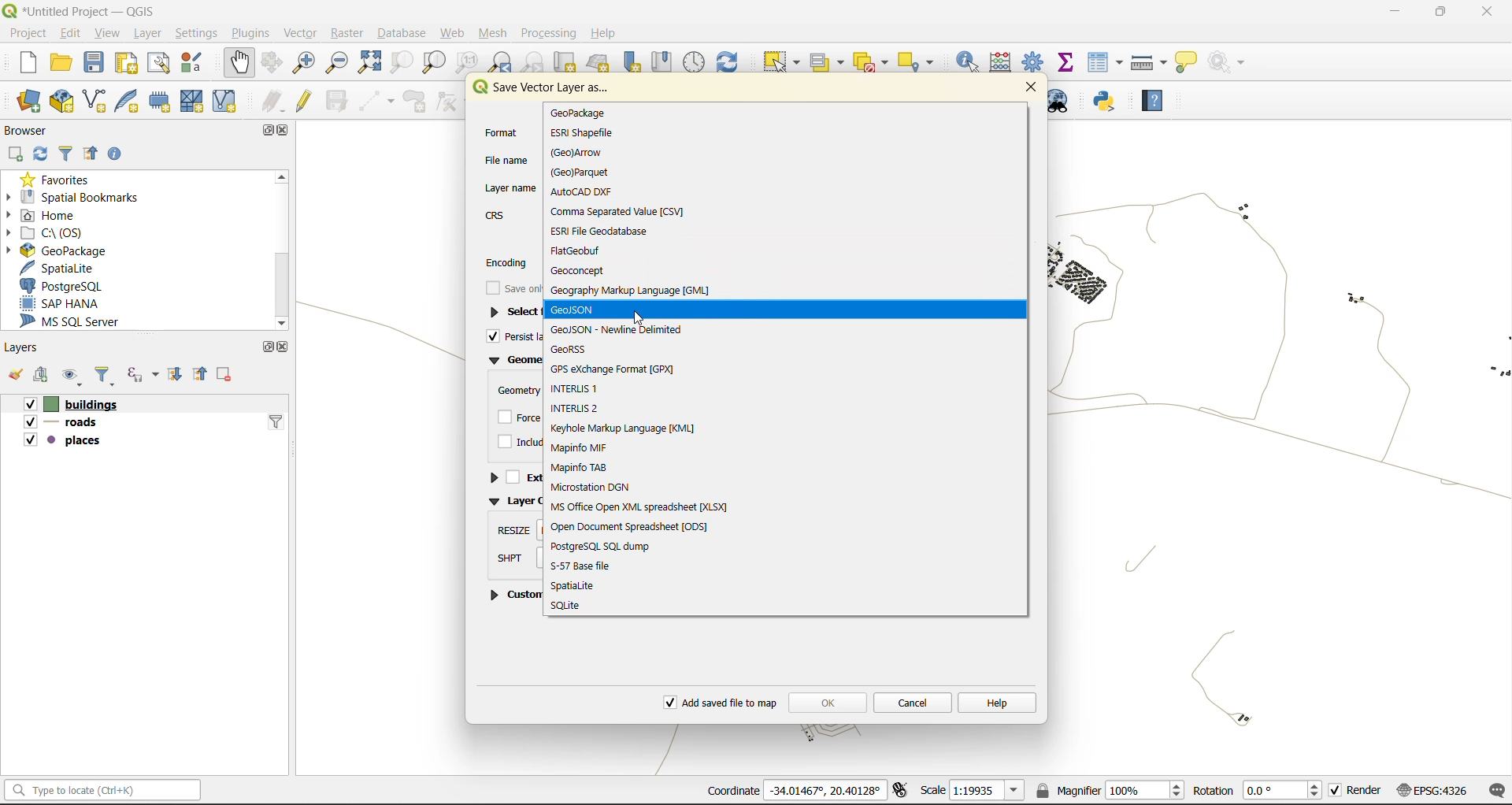  Describe the element at coordinates (695, 61) in the screenshot. I see `control panel` at that location.